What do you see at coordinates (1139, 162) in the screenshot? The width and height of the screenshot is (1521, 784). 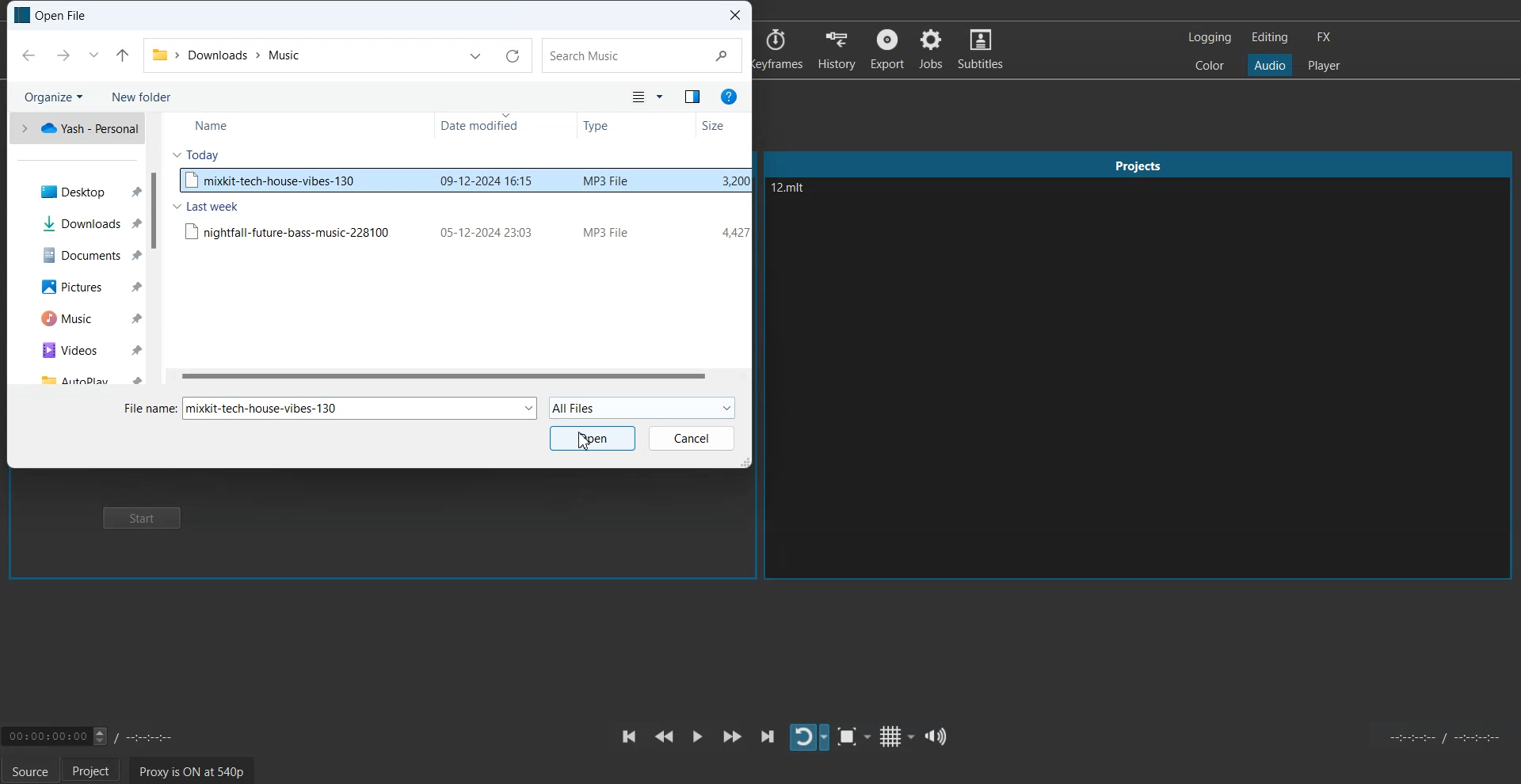 I see `Project window` at bounding box center [1139, 162].